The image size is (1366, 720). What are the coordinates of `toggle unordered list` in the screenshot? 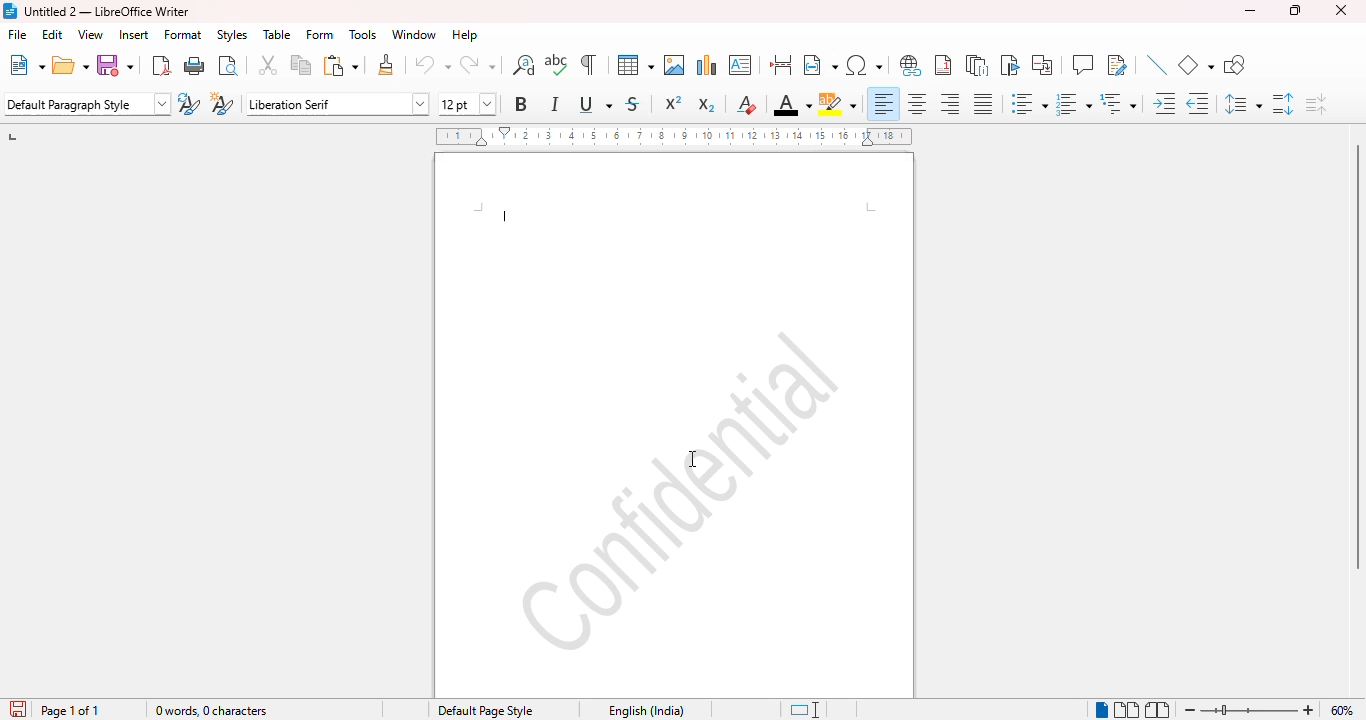 It's located at (1029, 103).